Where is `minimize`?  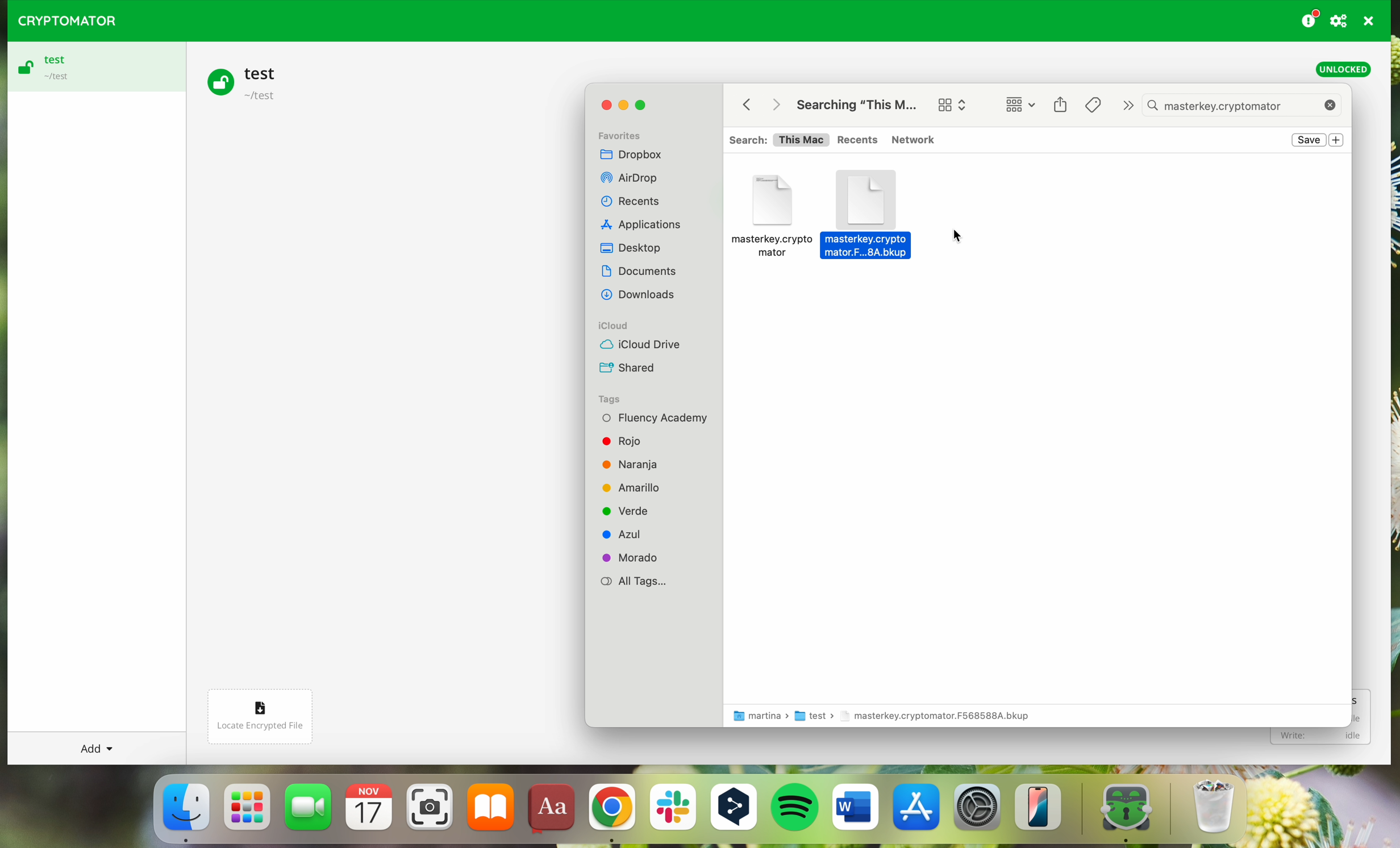 minimize is located at coordinates (622, 106).